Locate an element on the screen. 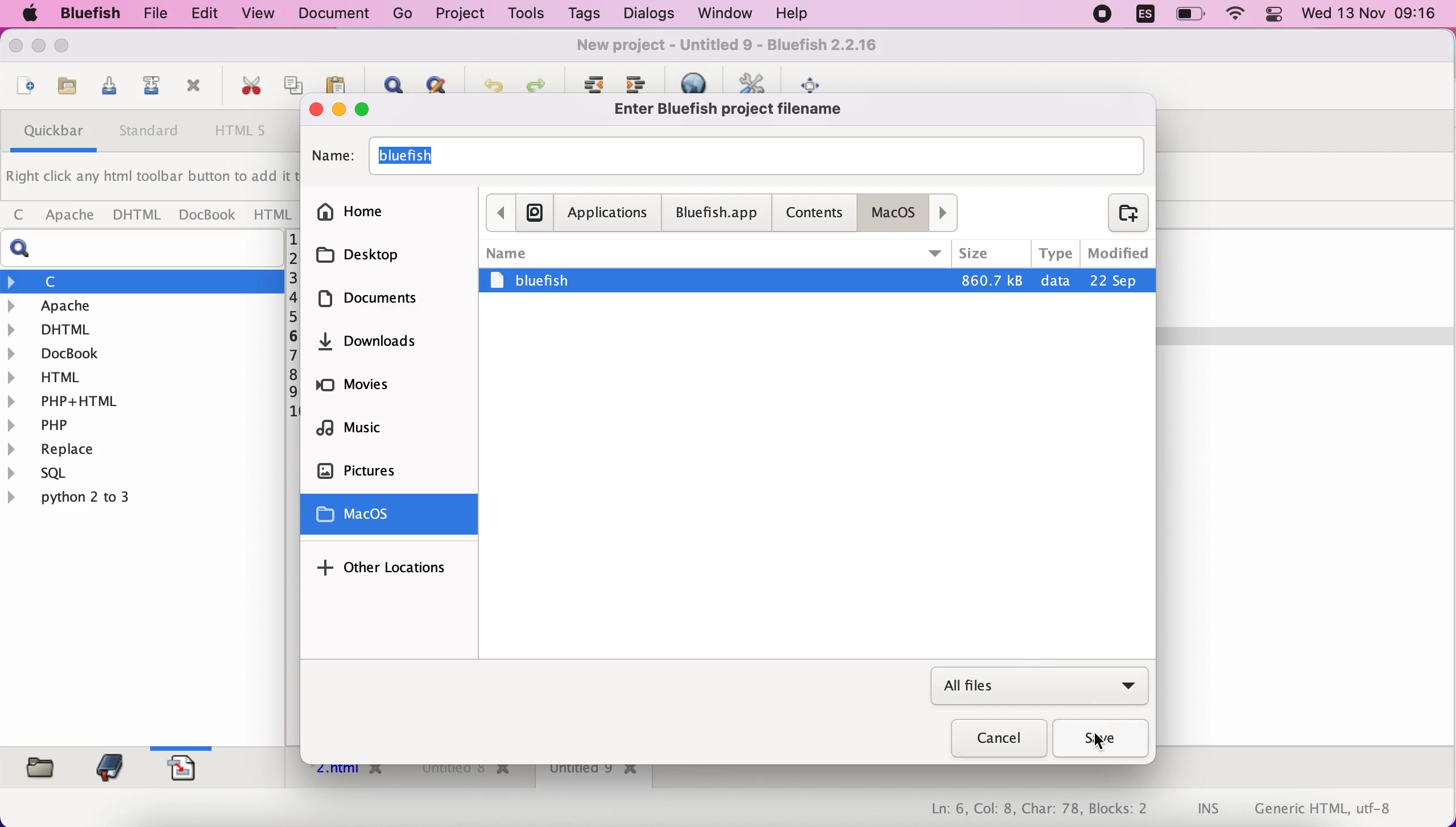 This screenshot has width=1456, height=827. bluefish is located at coordinates (85, 13).